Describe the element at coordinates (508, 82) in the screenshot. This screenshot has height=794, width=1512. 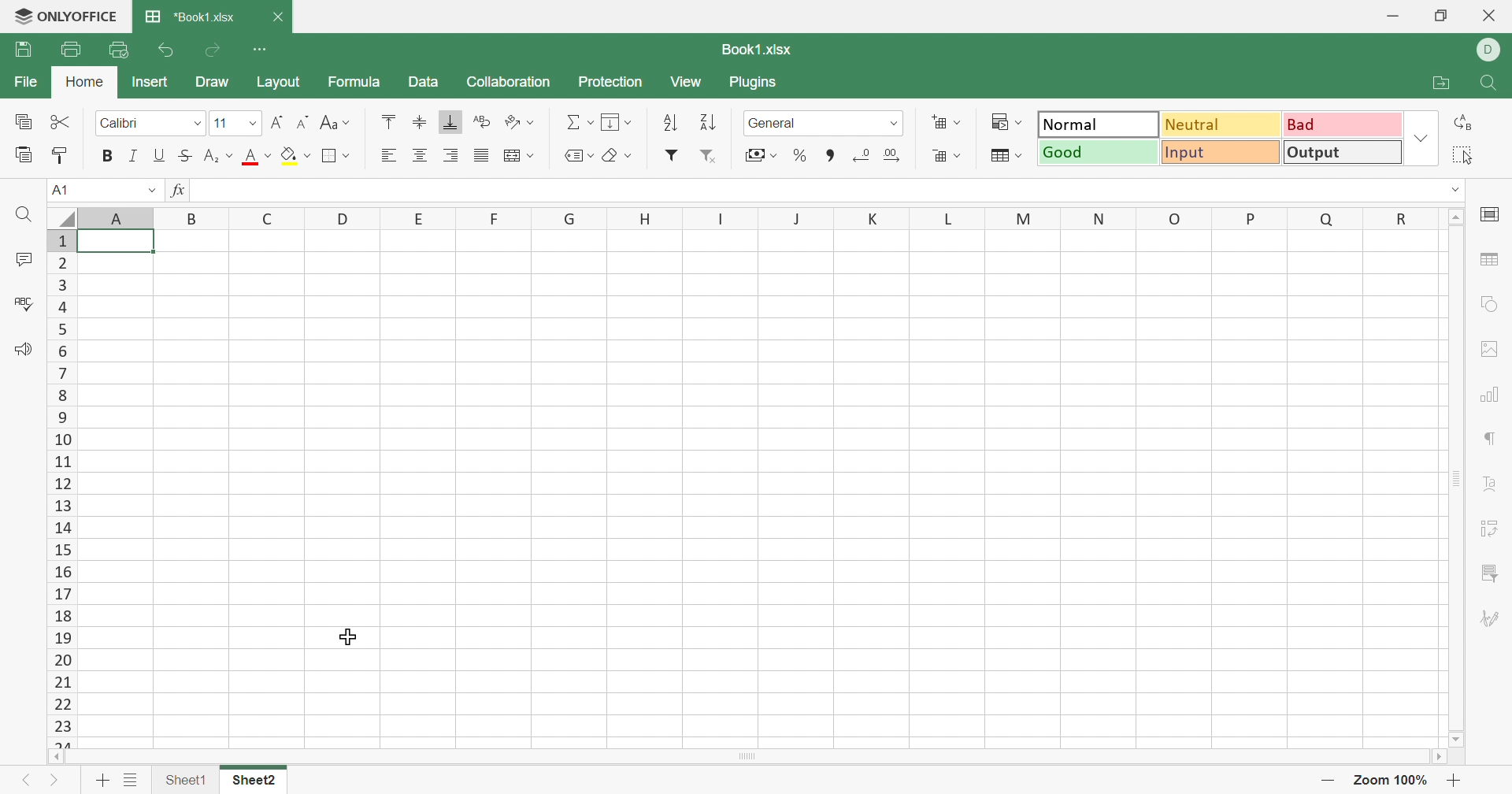
I see `Collaboration` at that location.